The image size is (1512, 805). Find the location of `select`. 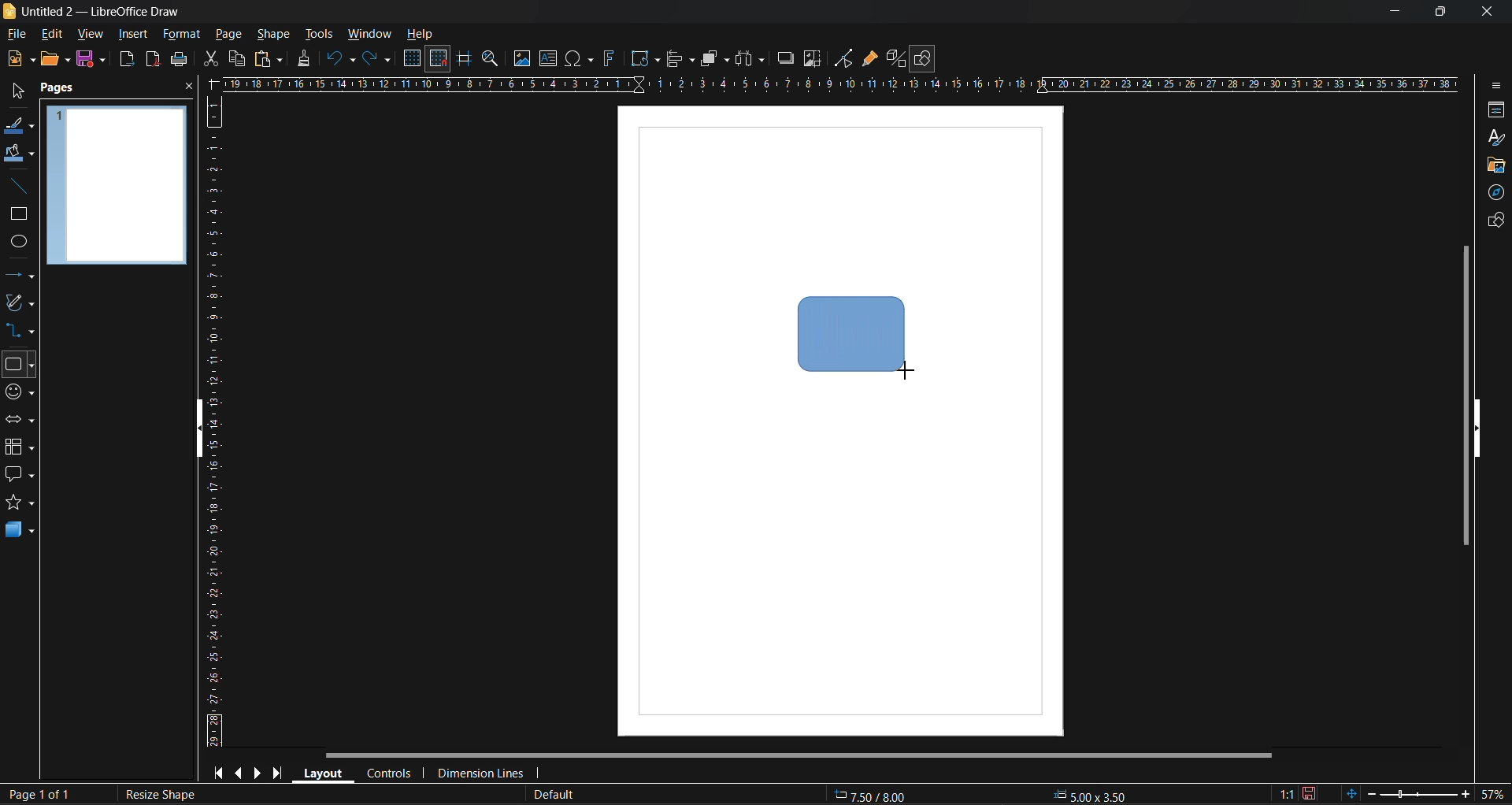

select is located at coordinates (17, 88).